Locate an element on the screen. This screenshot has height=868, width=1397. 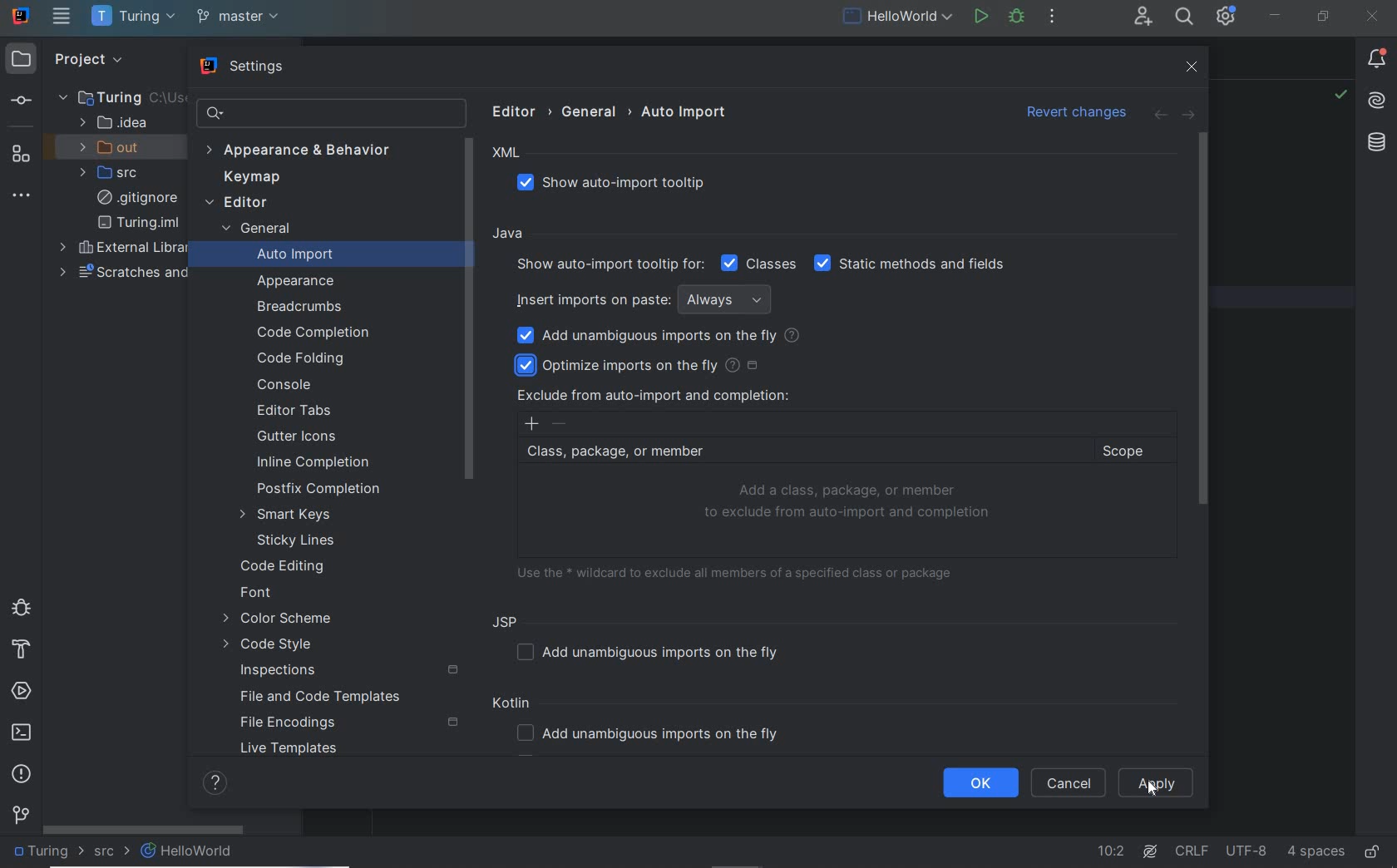
CODE STYLE is located at coordinates (273, 646).